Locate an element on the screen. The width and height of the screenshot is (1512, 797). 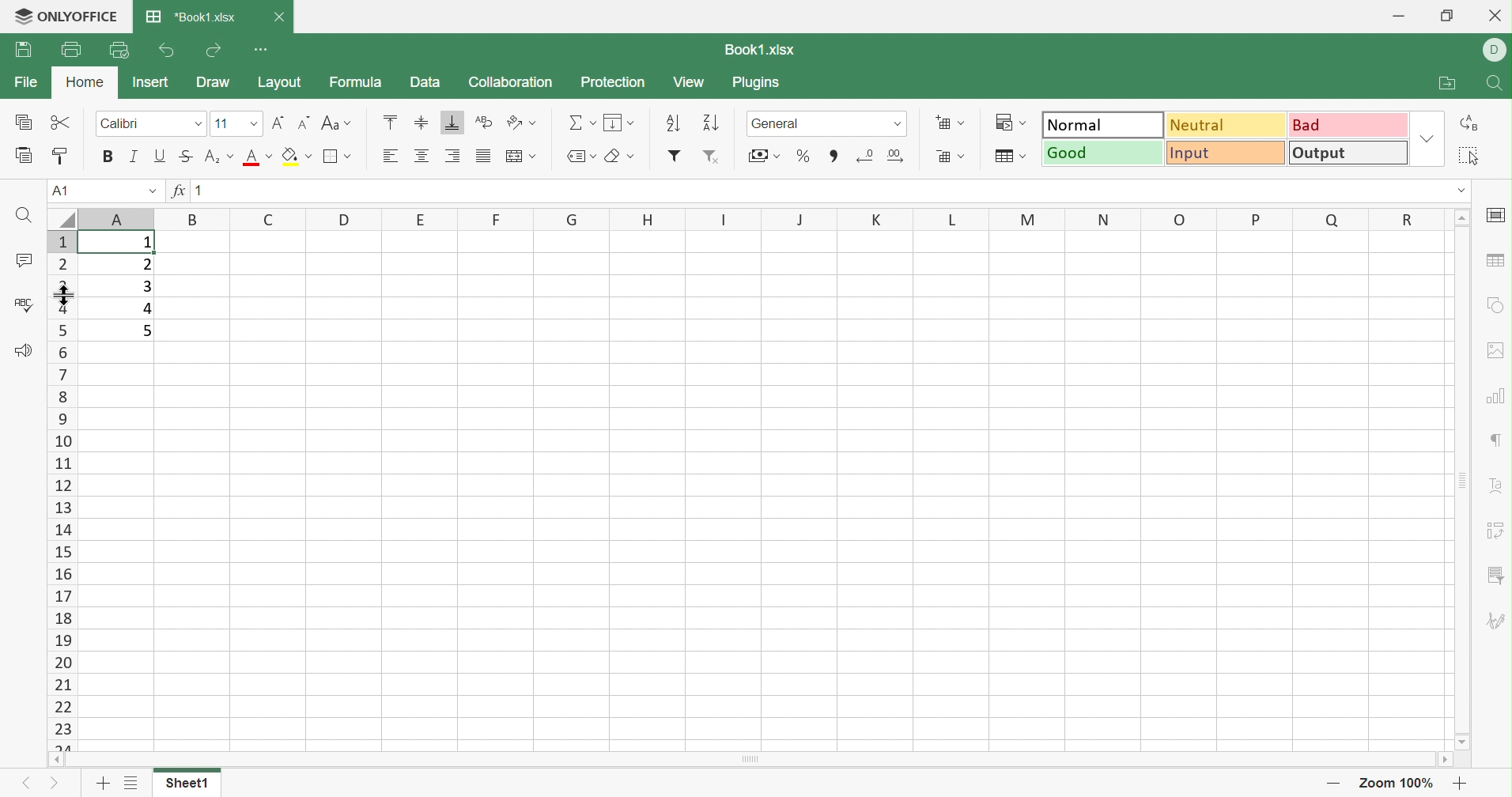
Slide settings is located at coordinates (1493, 217).